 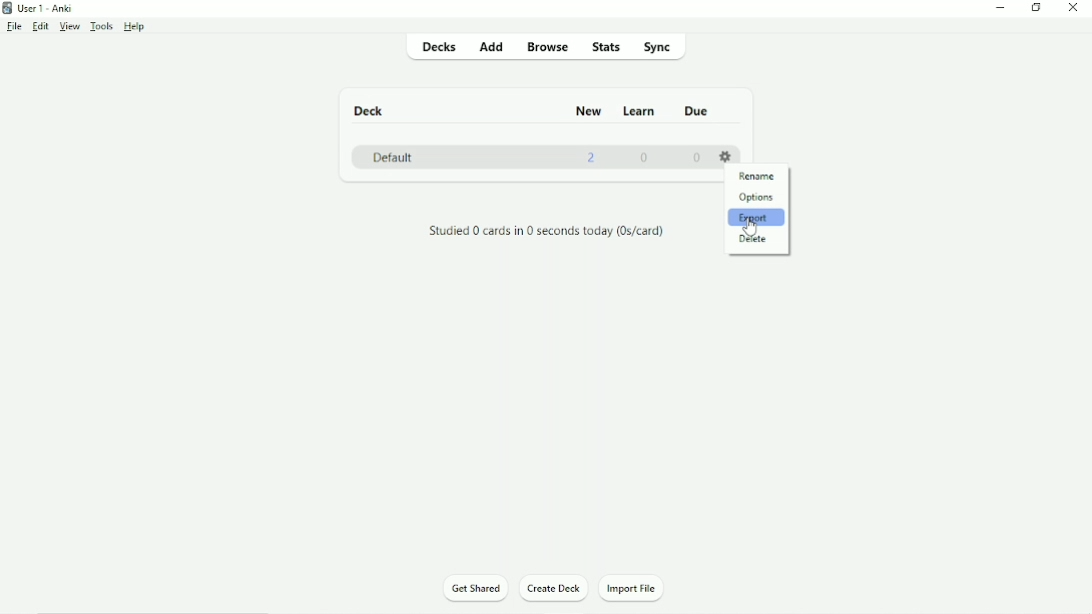 I want to click on Restore down, so click(x=1037, y=7).